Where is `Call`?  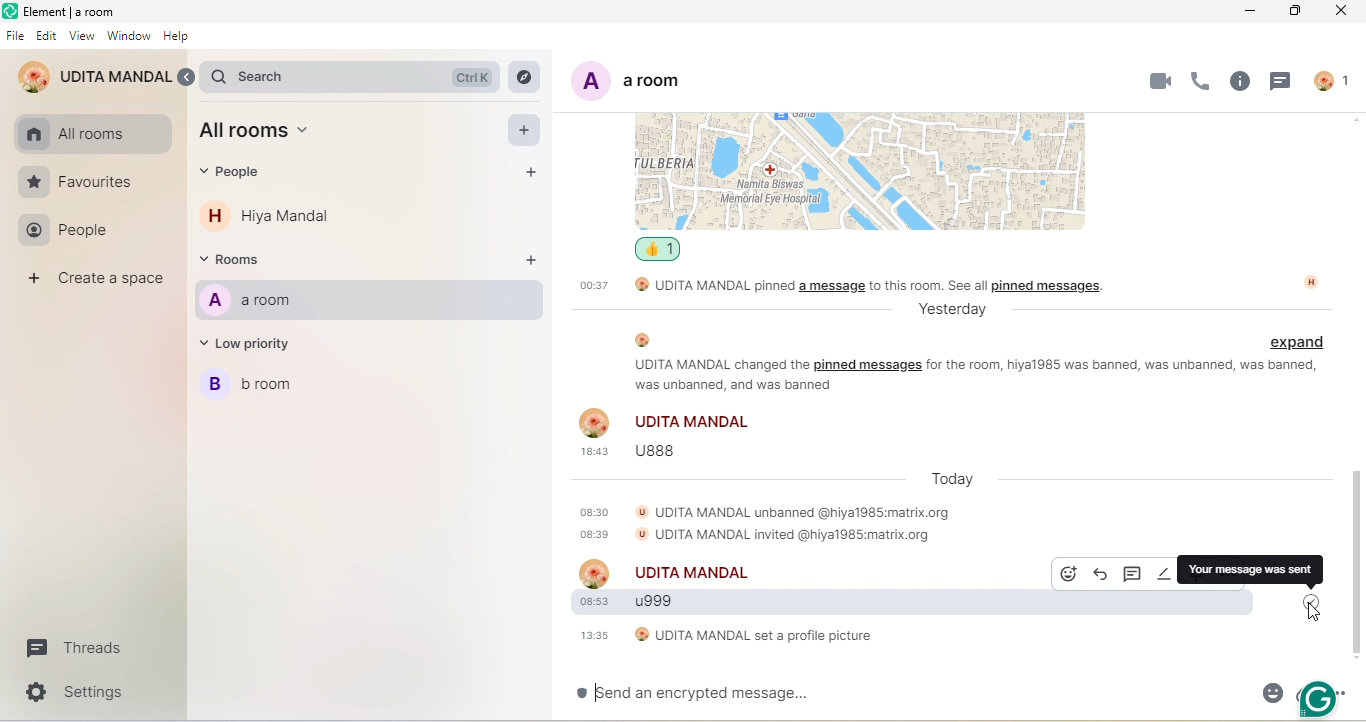
Call is located at coordinates (1196, 81).